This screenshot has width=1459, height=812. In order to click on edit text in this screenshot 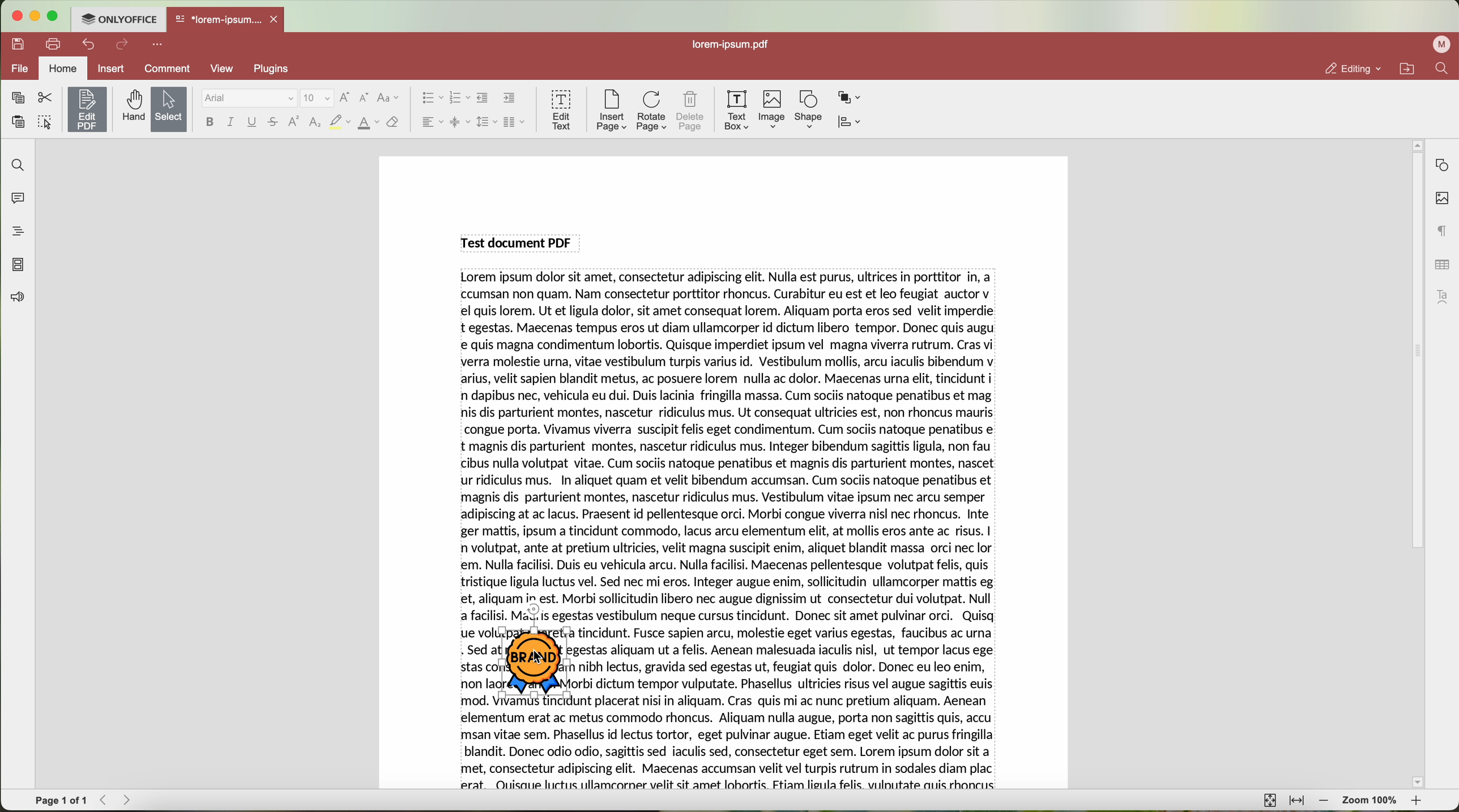, I will do `click(562, 109)`.